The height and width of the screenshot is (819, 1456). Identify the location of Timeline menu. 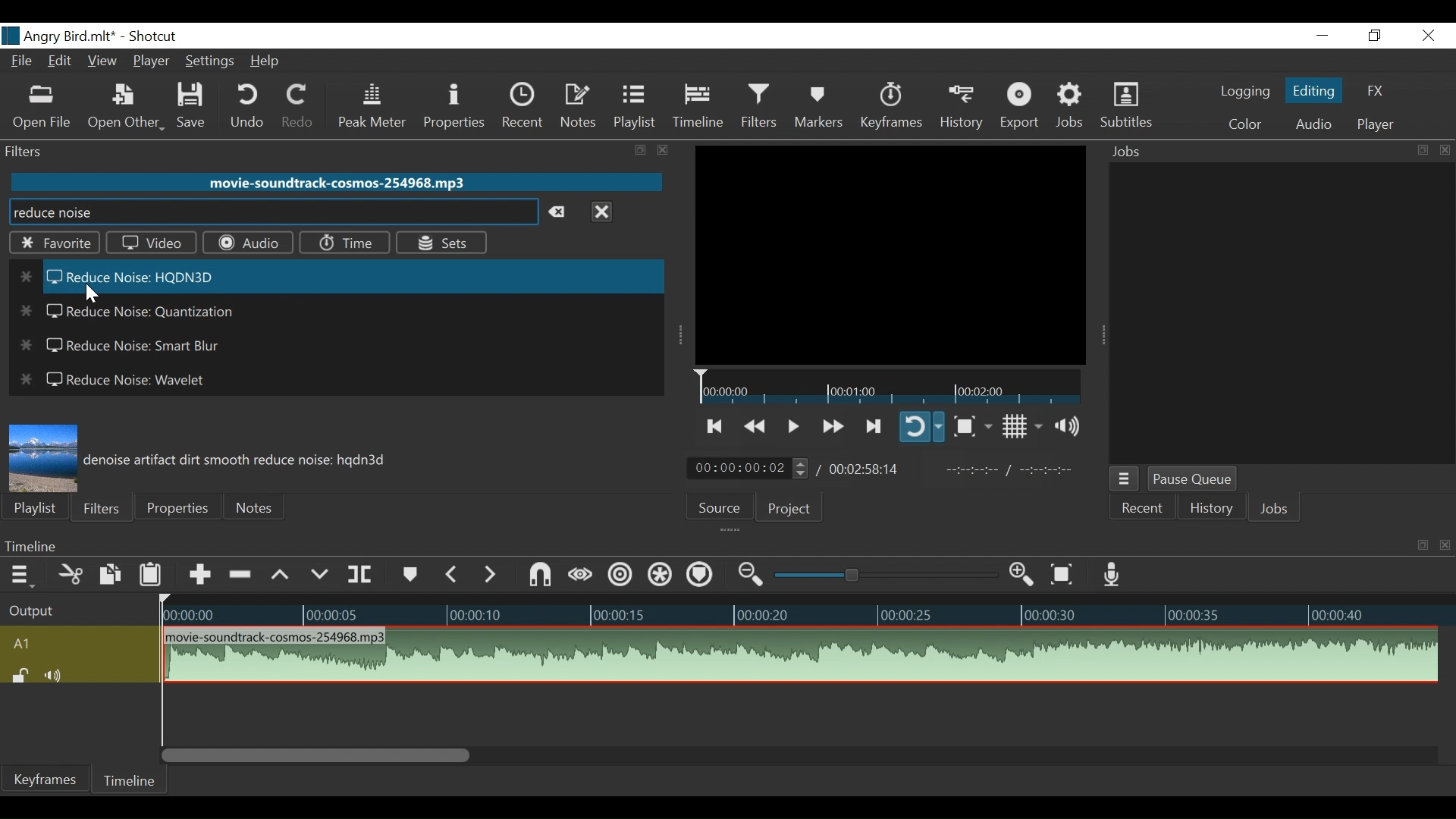
(19, 574).